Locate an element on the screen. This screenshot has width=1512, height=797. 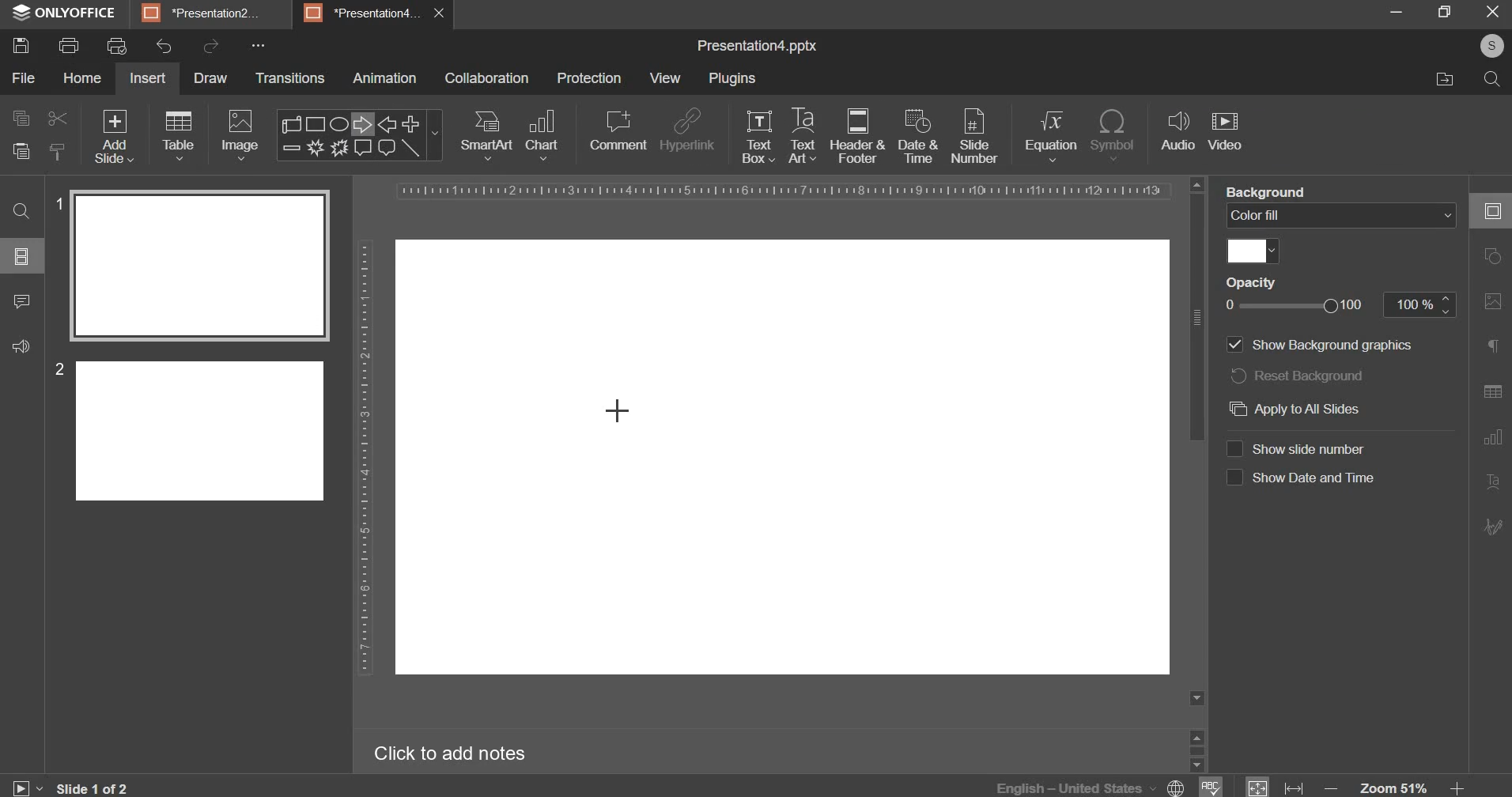
audio is located at coordinates (1177, 132).